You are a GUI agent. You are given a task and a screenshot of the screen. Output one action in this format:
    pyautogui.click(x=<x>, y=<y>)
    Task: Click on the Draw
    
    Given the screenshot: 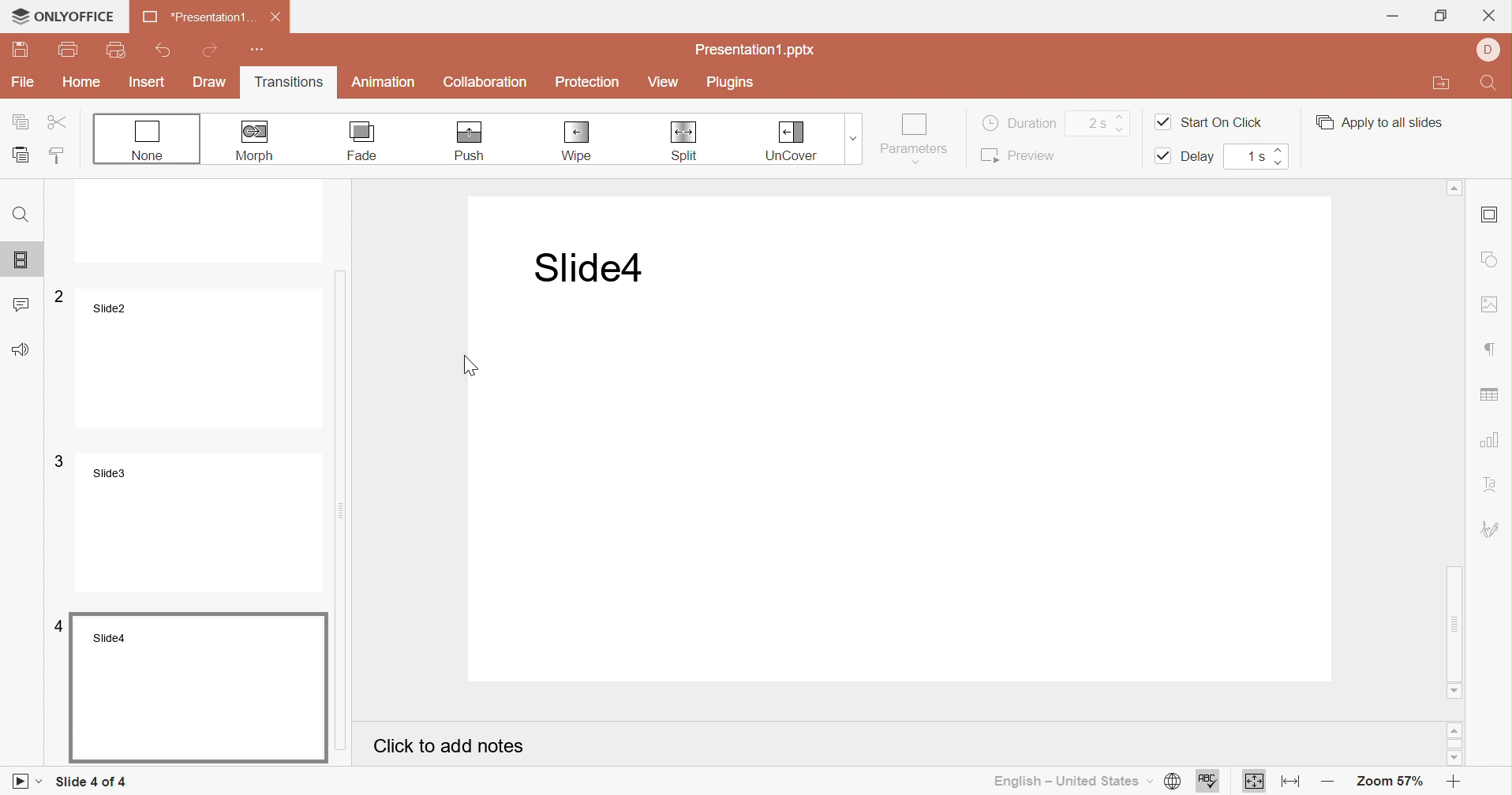 What is the action you would take?
    pyautogui.click(x=211, y=84)
    